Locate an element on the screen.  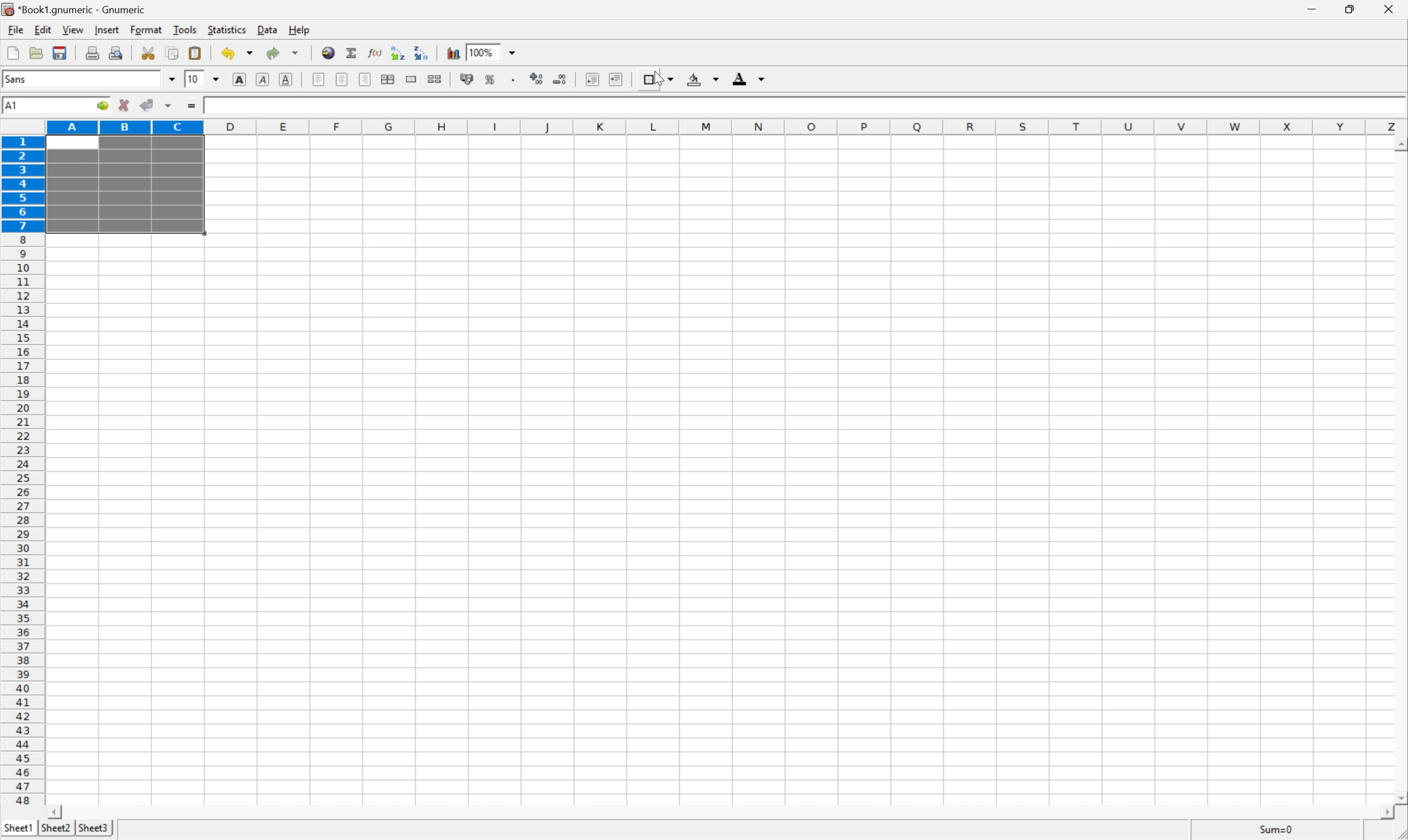
sum in current cell is located at coordinates (351, 52).